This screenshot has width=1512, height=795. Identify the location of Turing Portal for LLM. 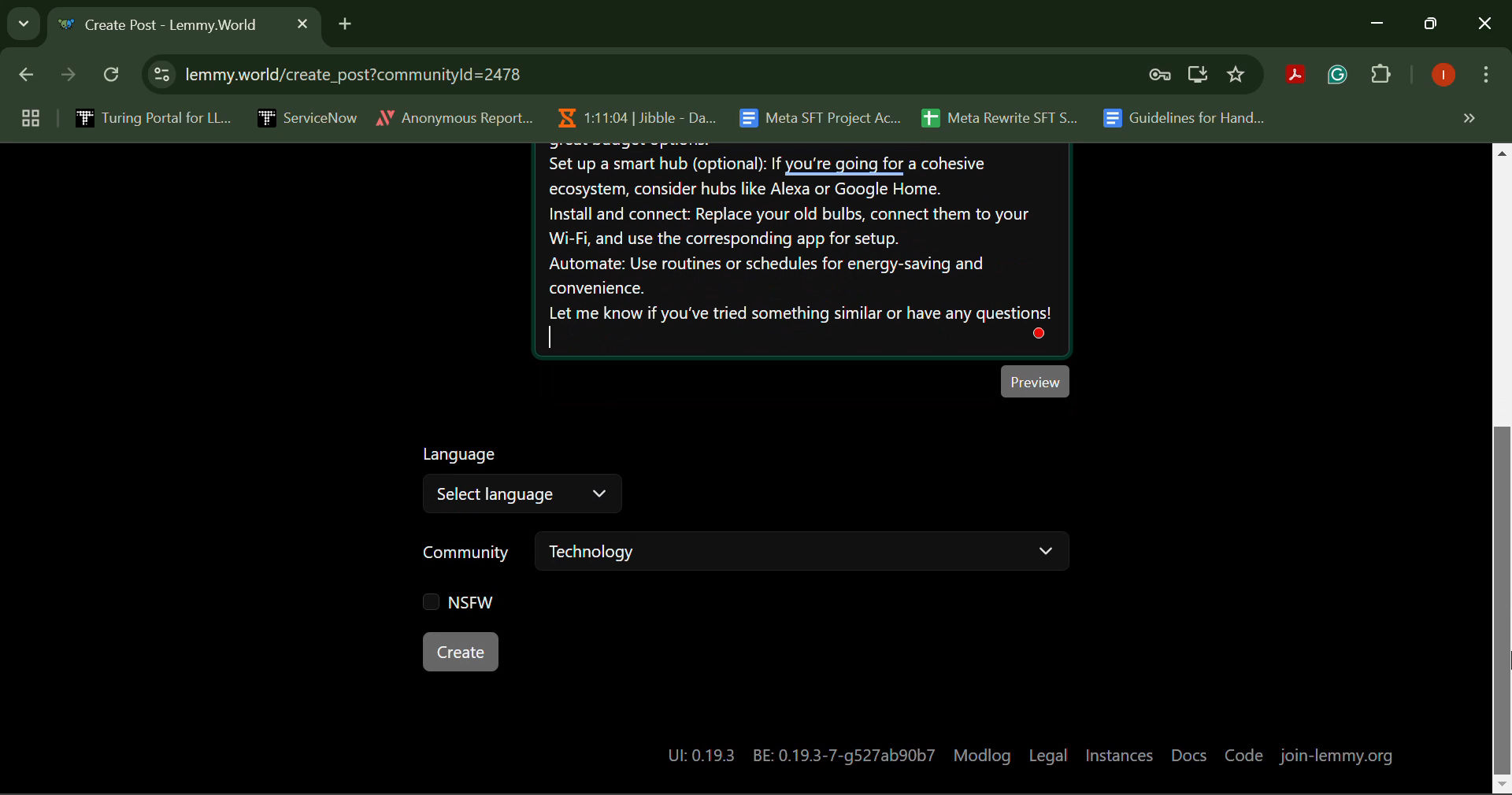
(150, 117).